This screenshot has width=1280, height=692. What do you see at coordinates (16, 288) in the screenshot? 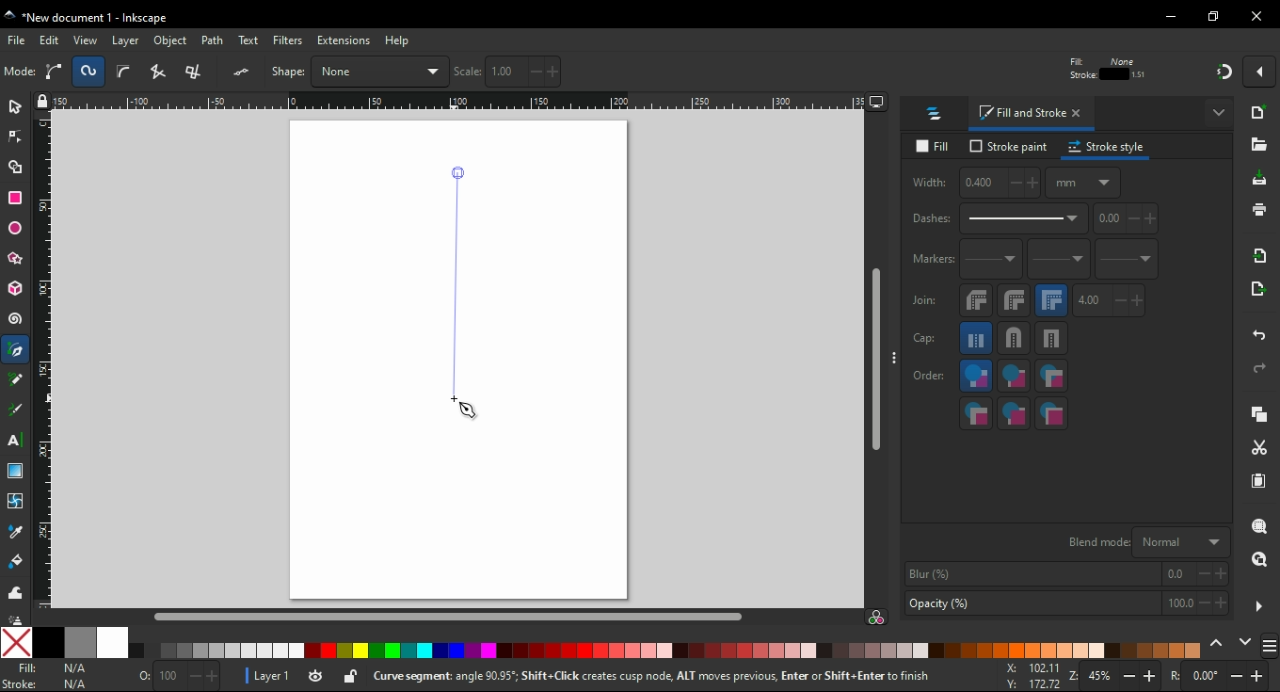
I see `3D box tool` at bounding box center [16, 288].